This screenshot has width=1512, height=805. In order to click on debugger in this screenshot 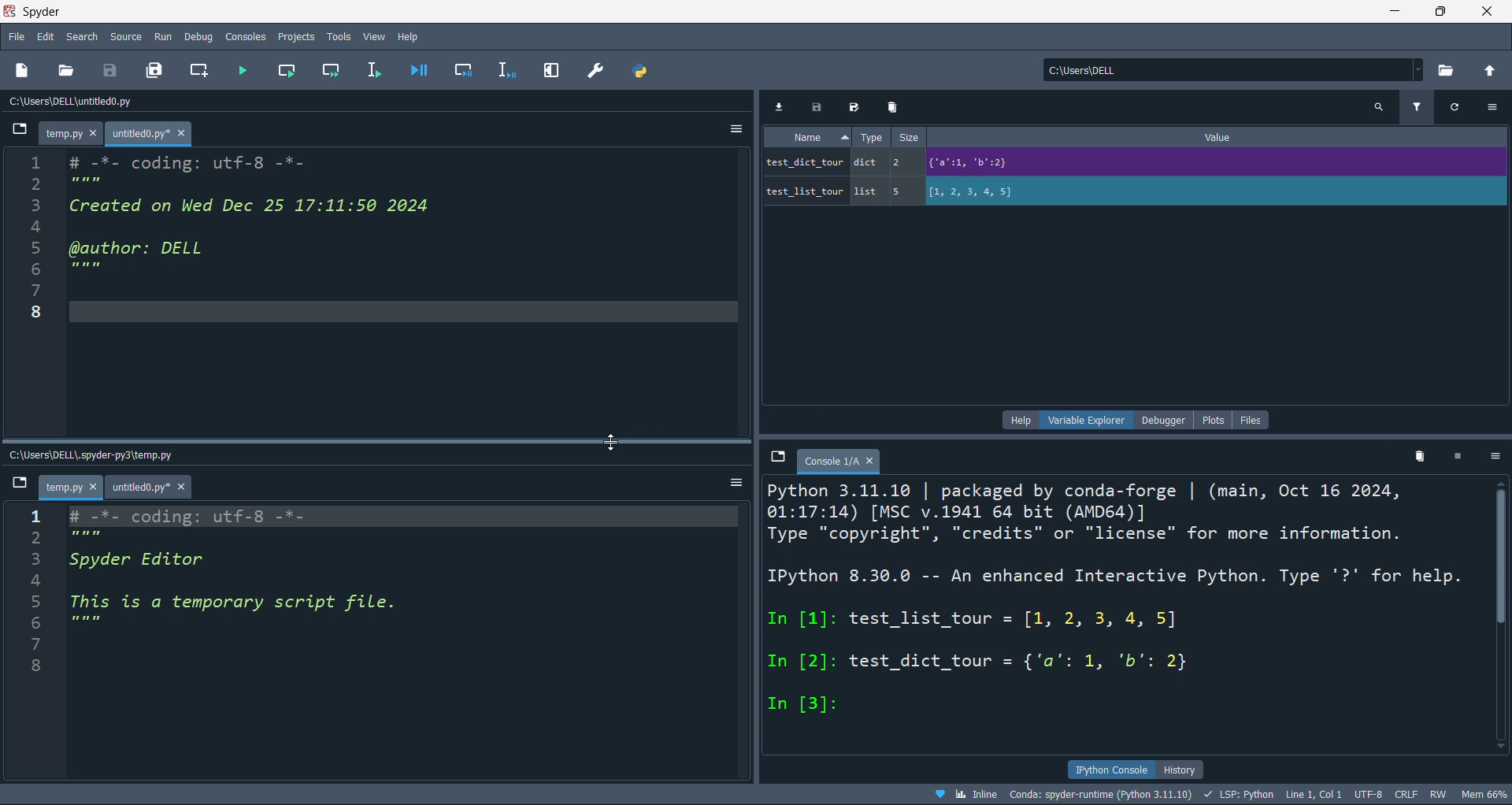, I will do `click(1159, 419)`.